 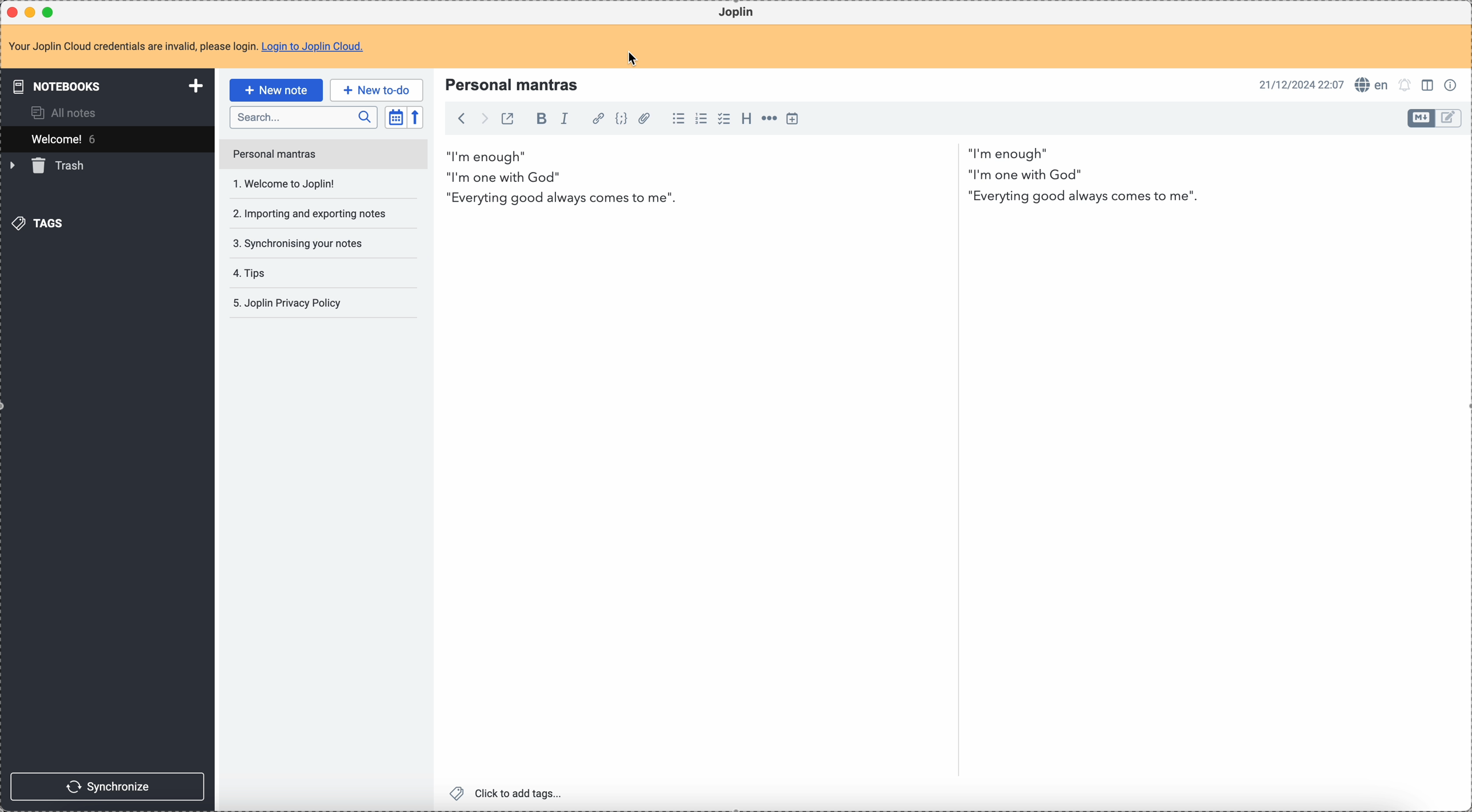 I want to click on toggle external editing, so click(x=509, y=120).